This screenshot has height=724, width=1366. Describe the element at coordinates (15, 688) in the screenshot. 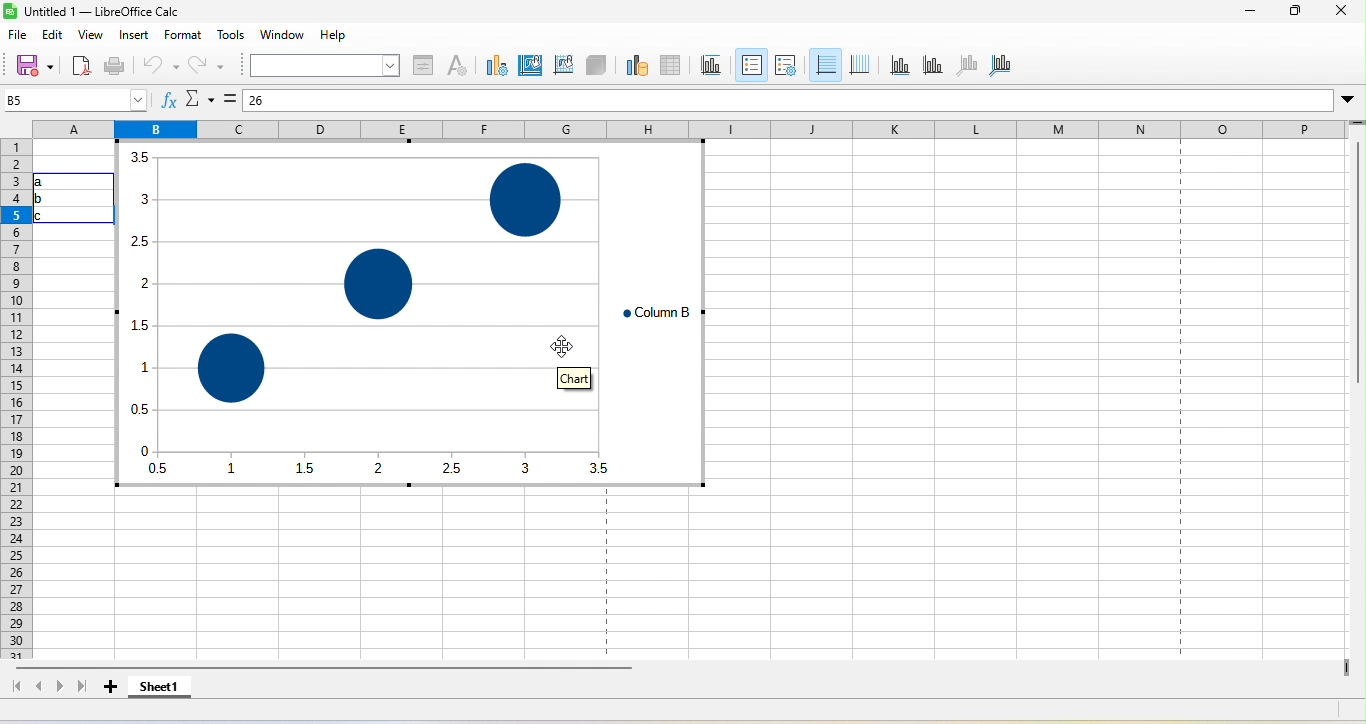

I see `first sheet` at that location.